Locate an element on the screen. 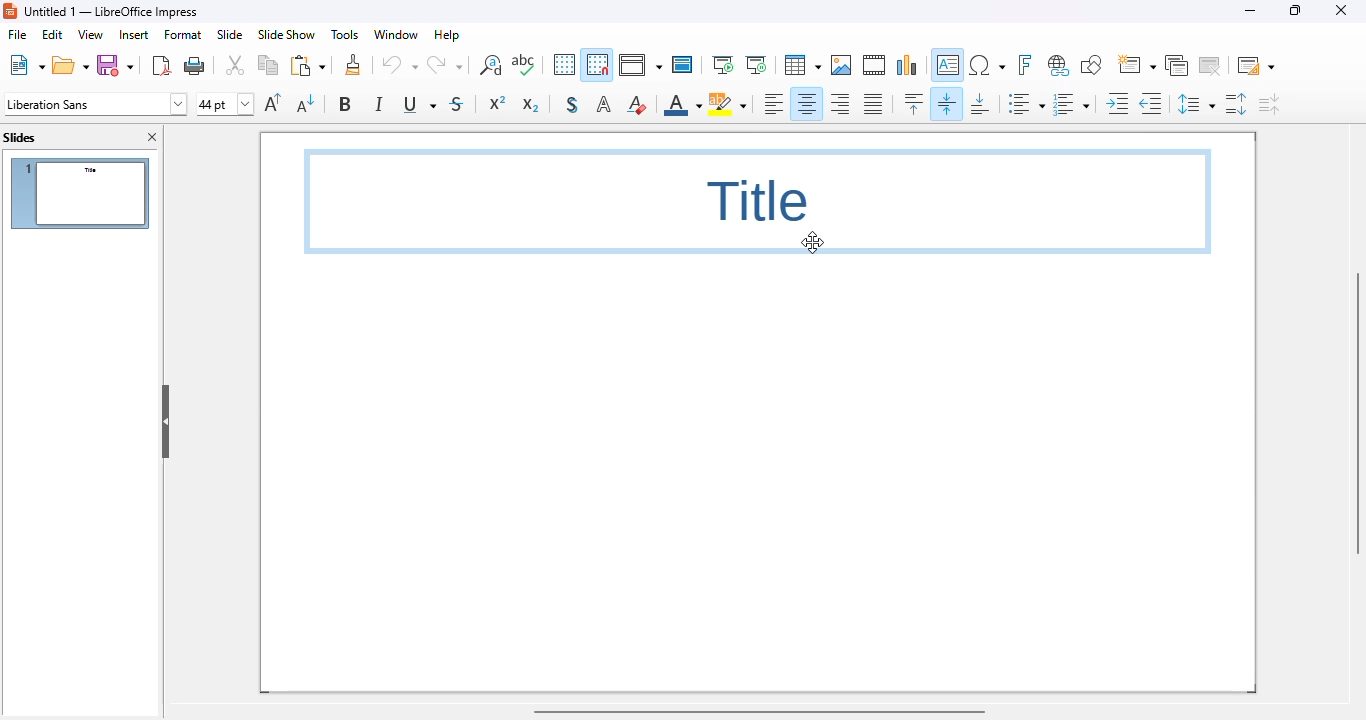  delete slide is located at coordinates (1211, 65).